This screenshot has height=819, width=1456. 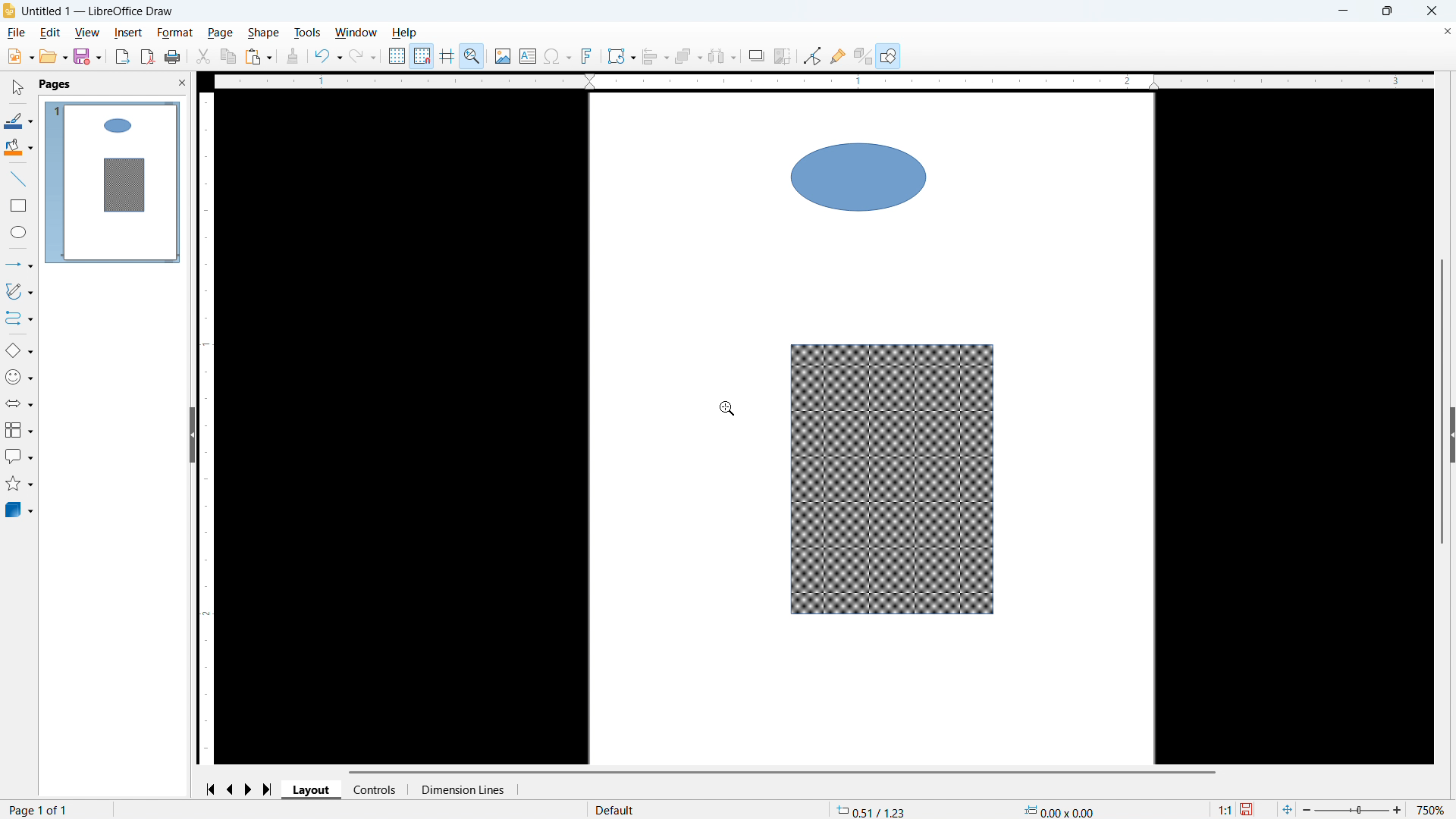 I want to click on minimise , so click(x=1341, y=11).